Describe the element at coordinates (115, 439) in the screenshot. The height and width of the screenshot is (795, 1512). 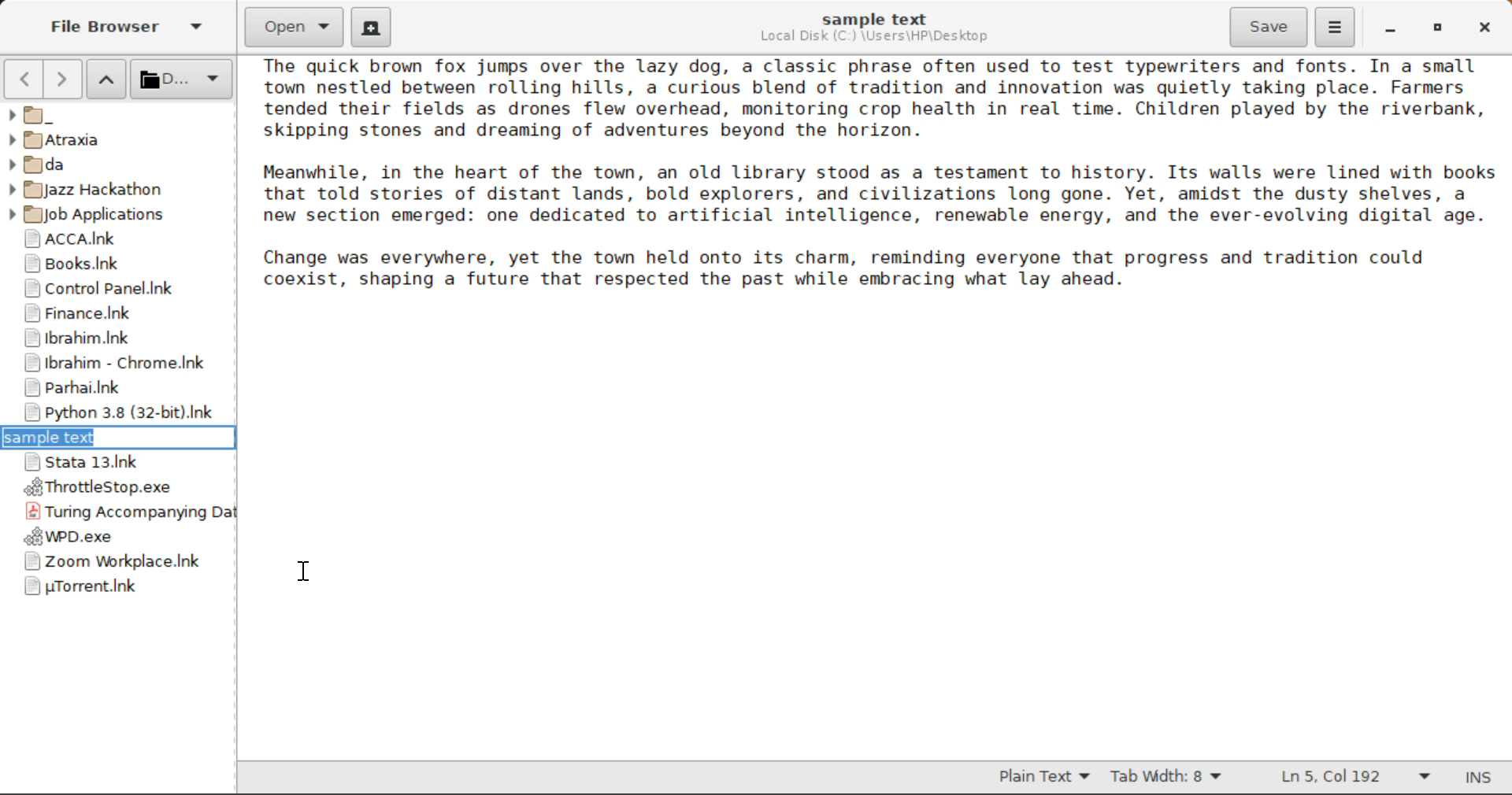
I see `sample text file name textbox selected` at that location.